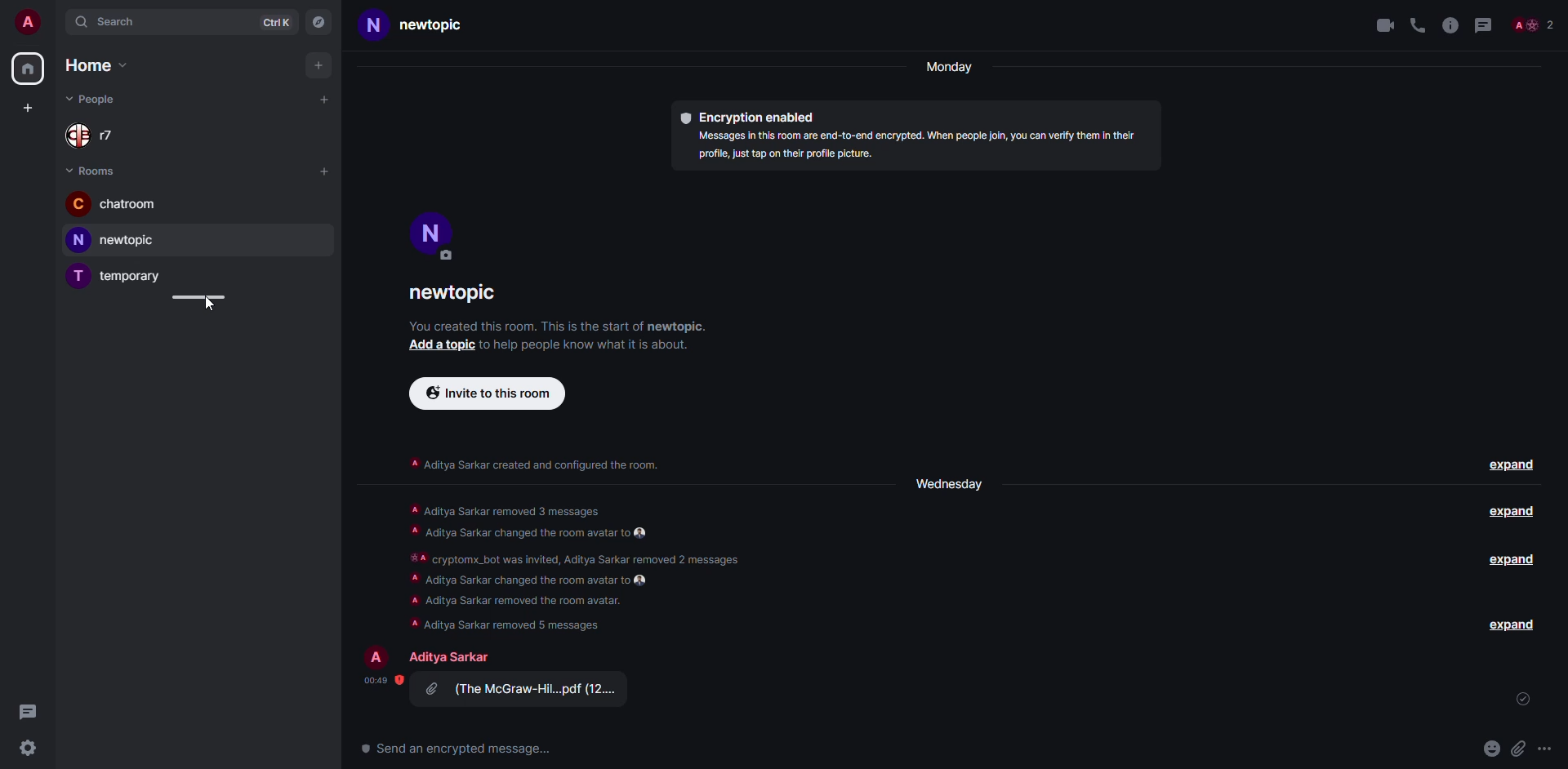  I want to click on voice, so click(1418, 26).